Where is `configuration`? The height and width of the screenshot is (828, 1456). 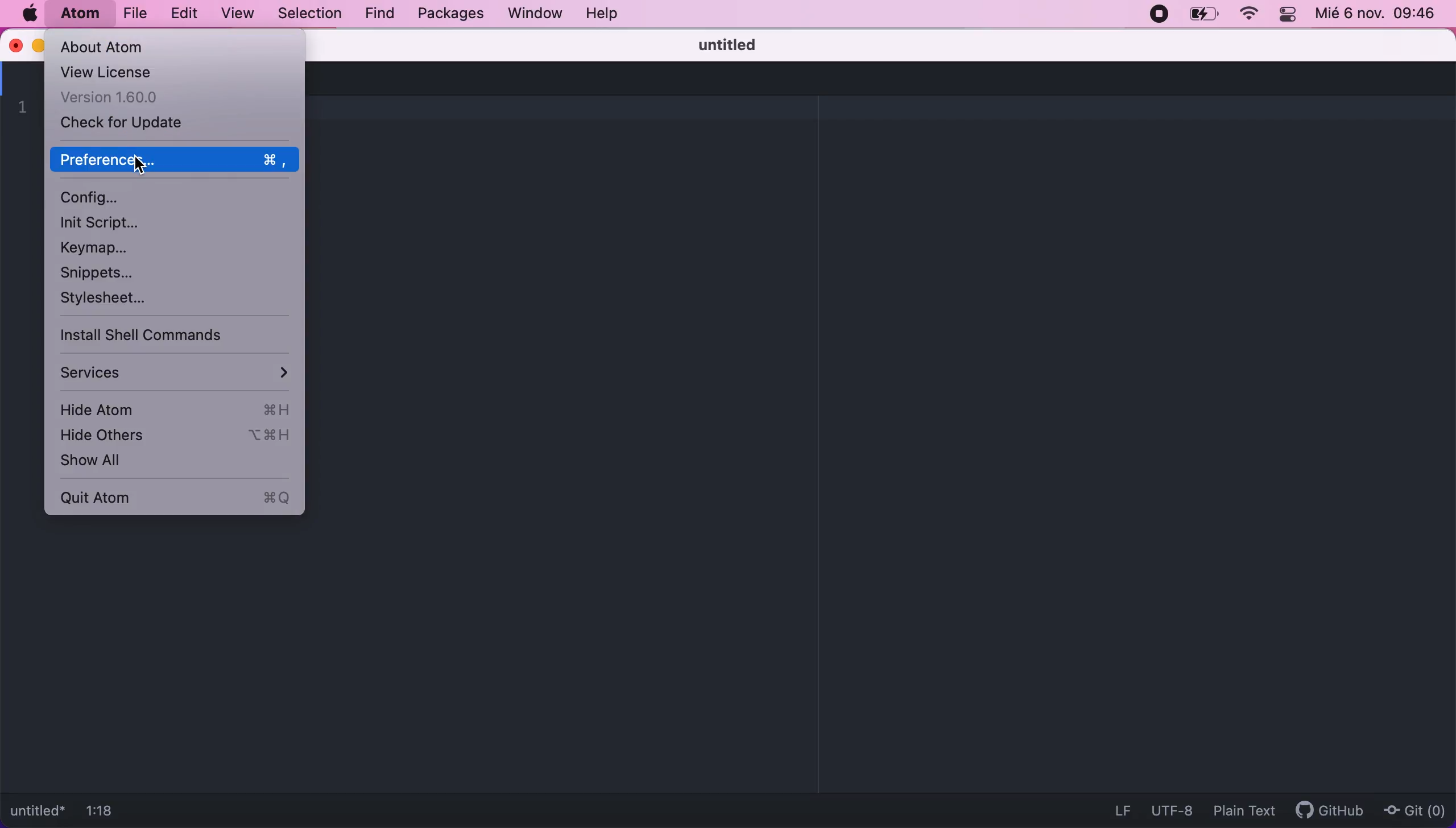
configuration is located at coordinates (129, 196).